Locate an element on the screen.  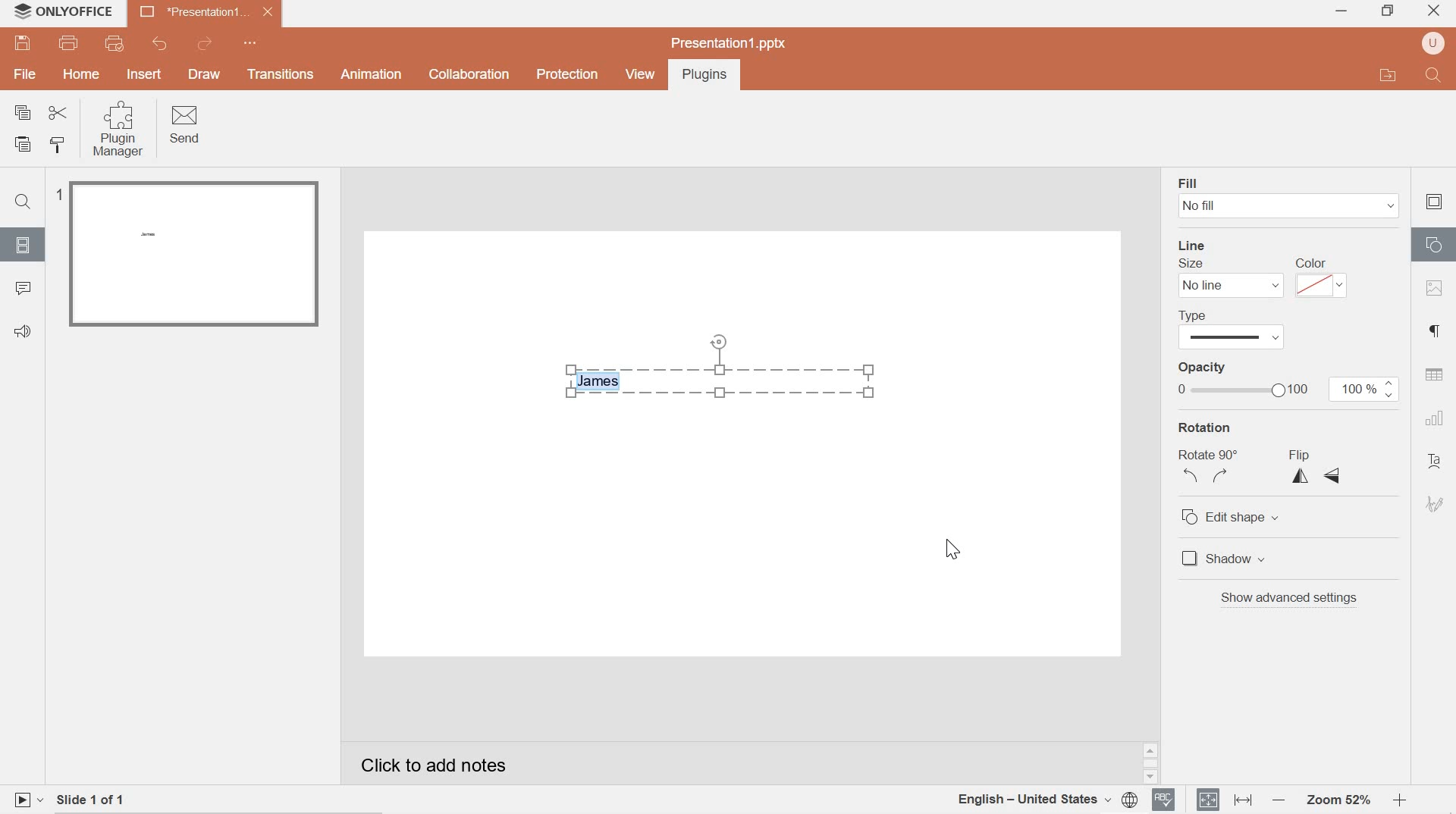
edit shape is located at coordinates (1255, 516).